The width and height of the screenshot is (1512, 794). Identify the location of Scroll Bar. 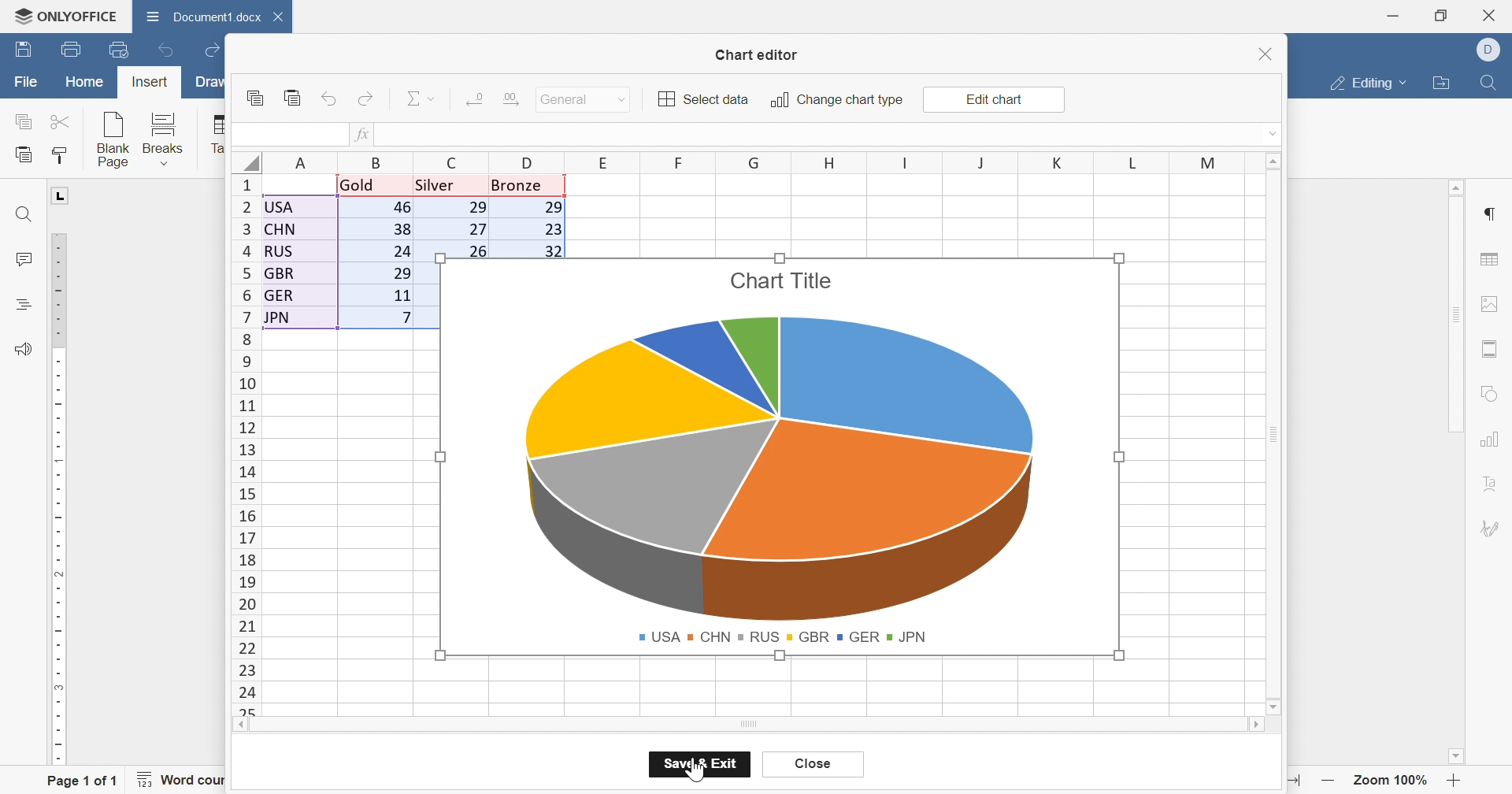
(1456, 315).